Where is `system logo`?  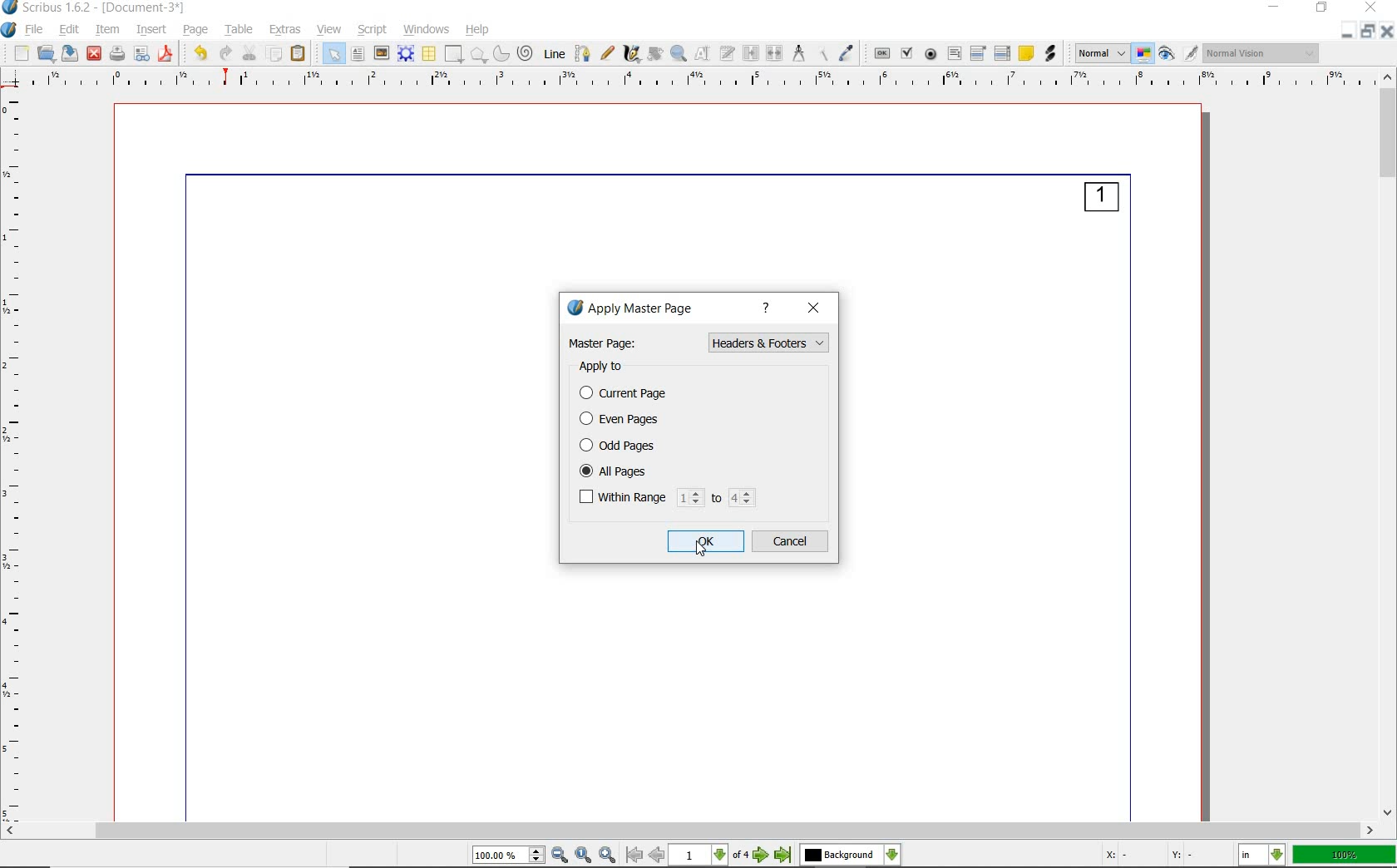
system logo is located at coordinates (9, 31).